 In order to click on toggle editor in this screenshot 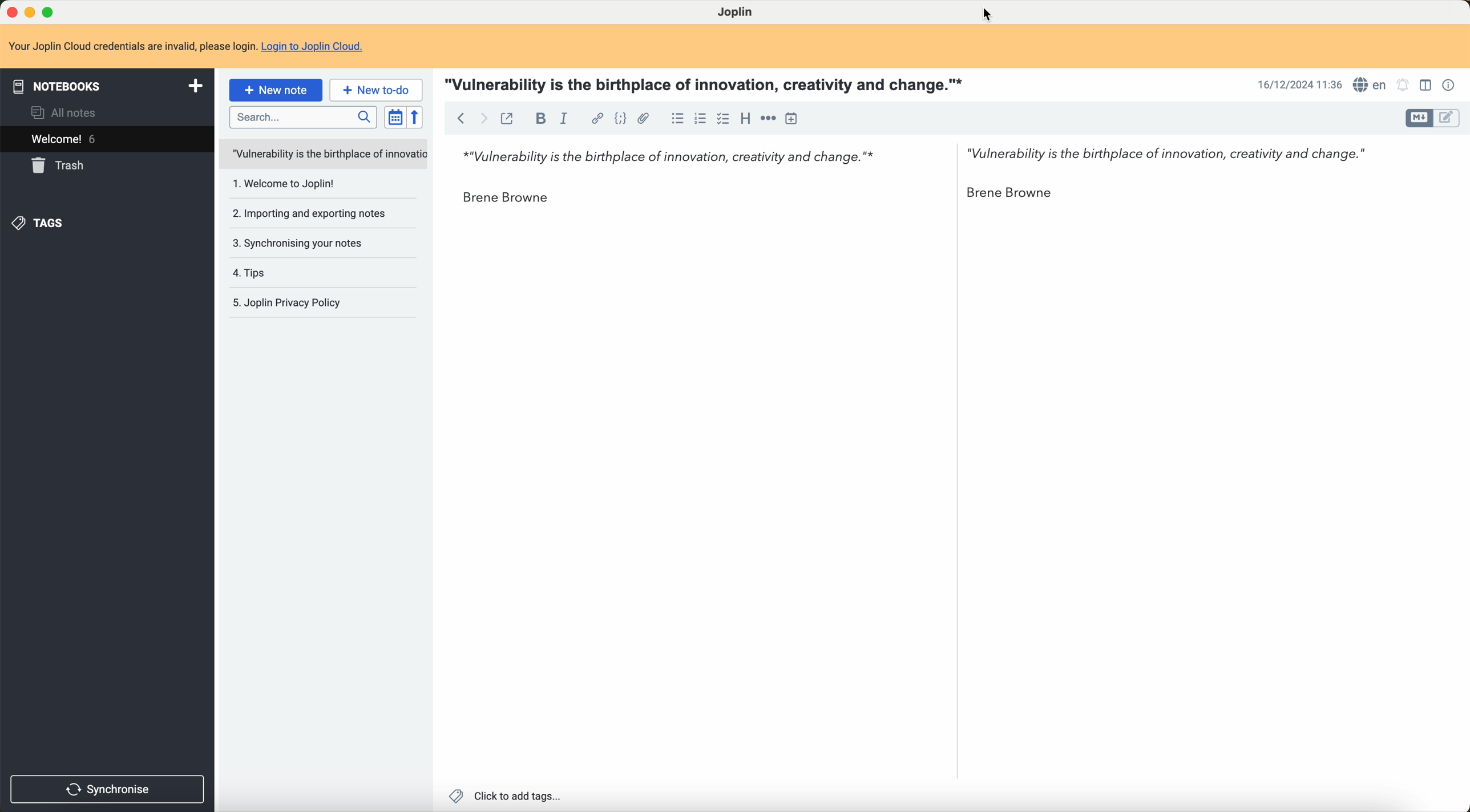, I will do `click(1451, 118)`.